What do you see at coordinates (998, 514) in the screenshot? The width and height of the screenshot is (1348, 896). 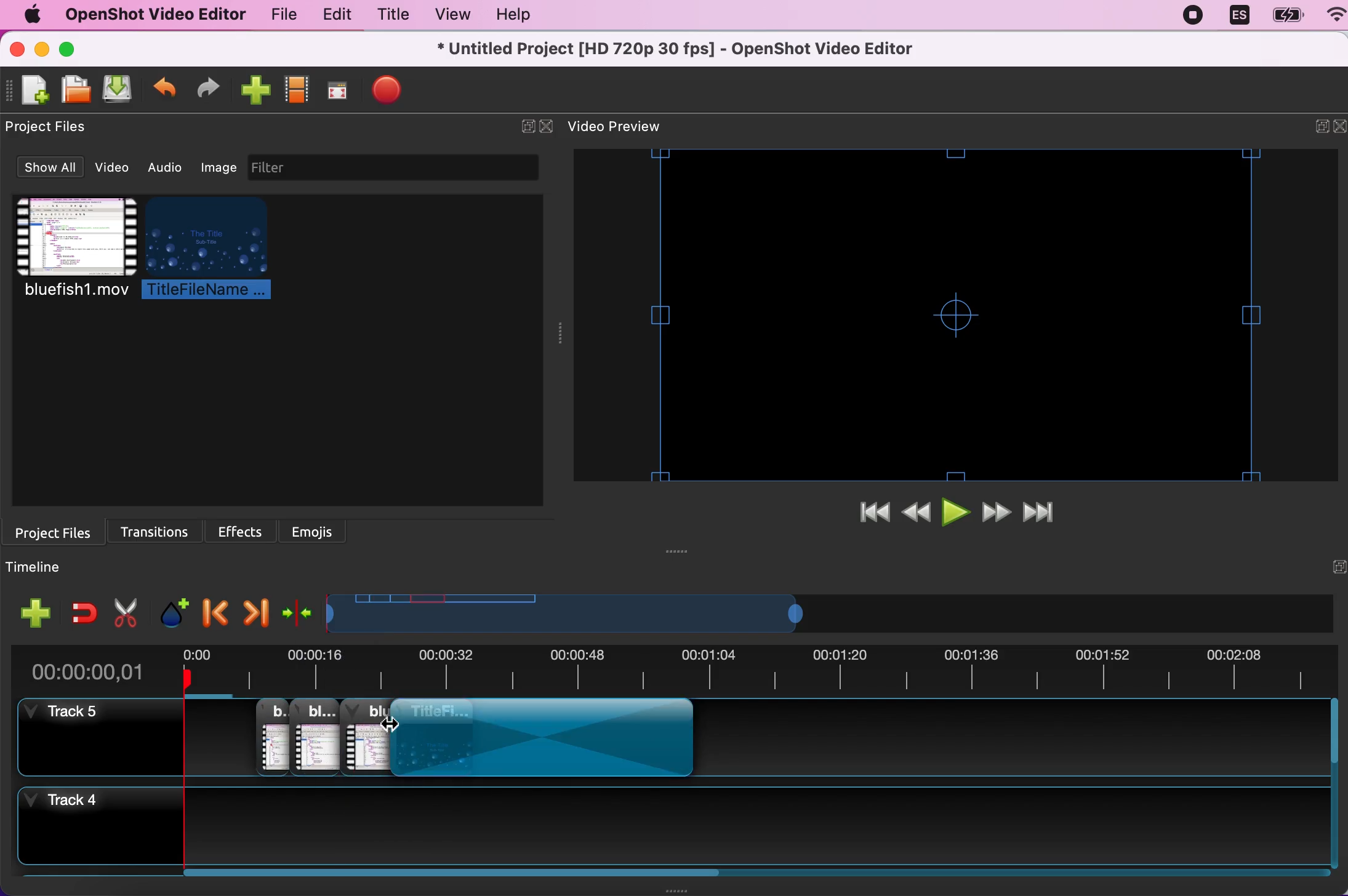 I see `fast forward` at bounding box center [998, 514].